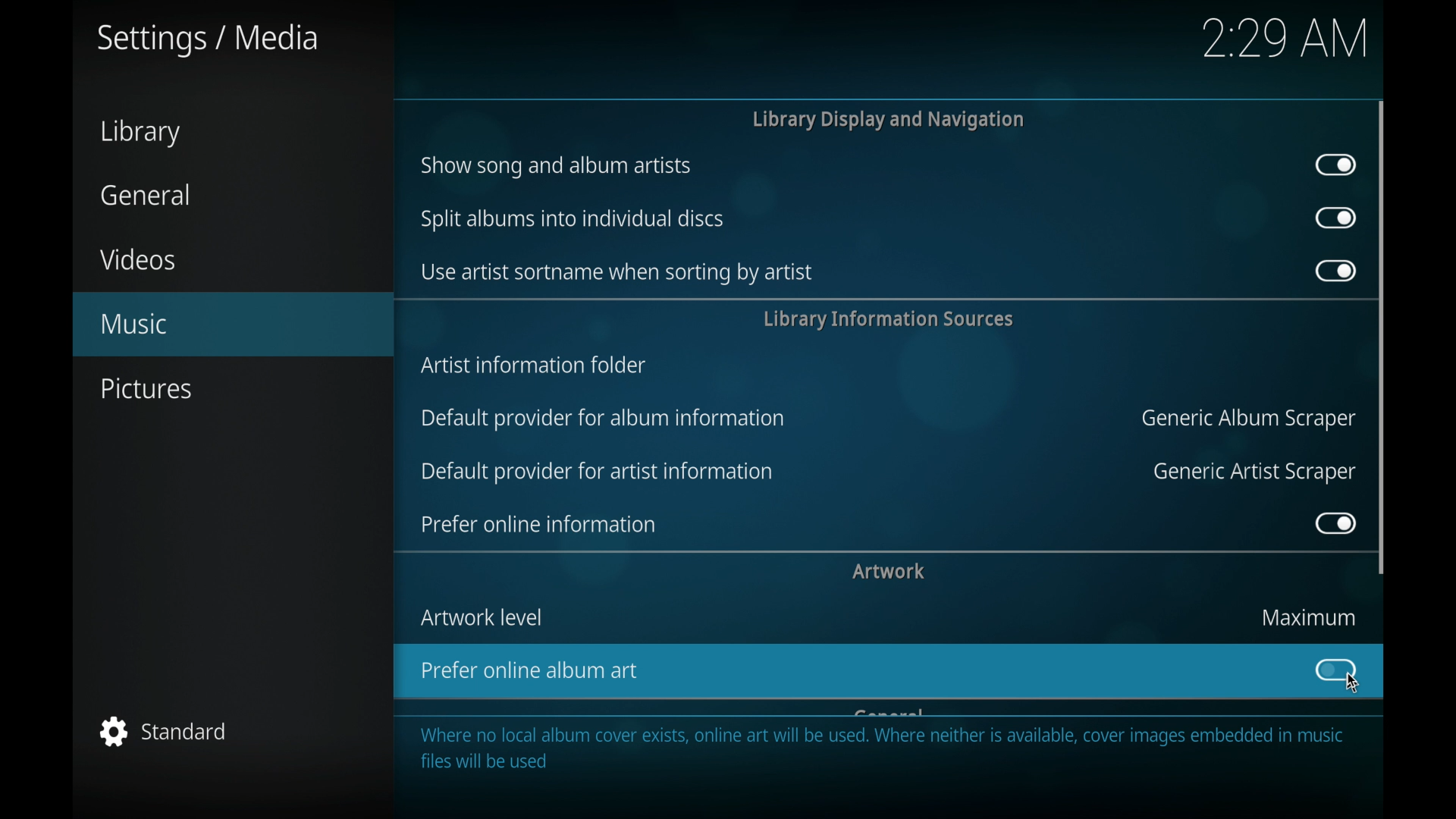 The image size is (1456, 819). What do you see at coordinates (165, 733) in the screenshot?
I see `standard` at bounding box center [165, 733].